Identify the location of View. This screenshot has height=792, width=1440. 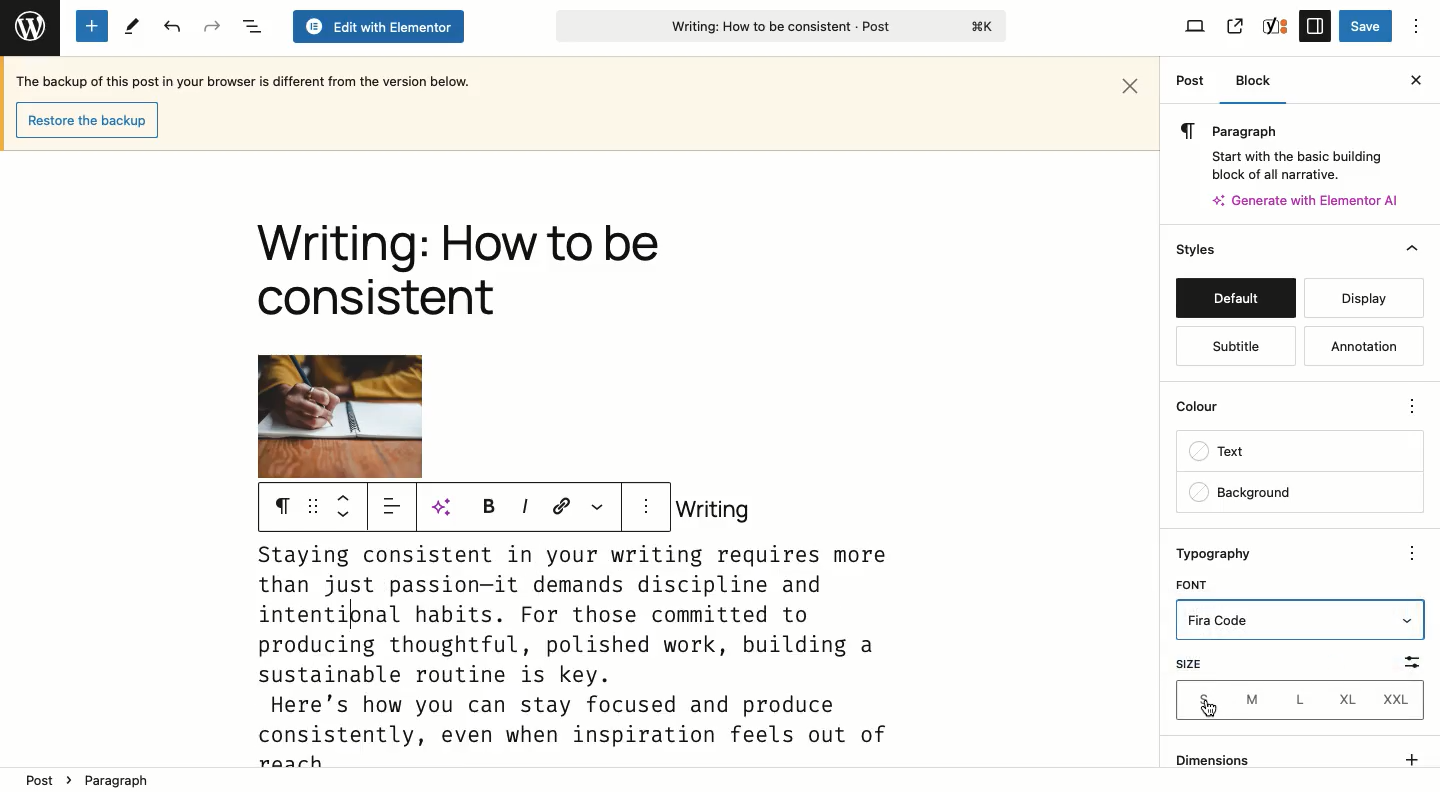
(1196, 28).